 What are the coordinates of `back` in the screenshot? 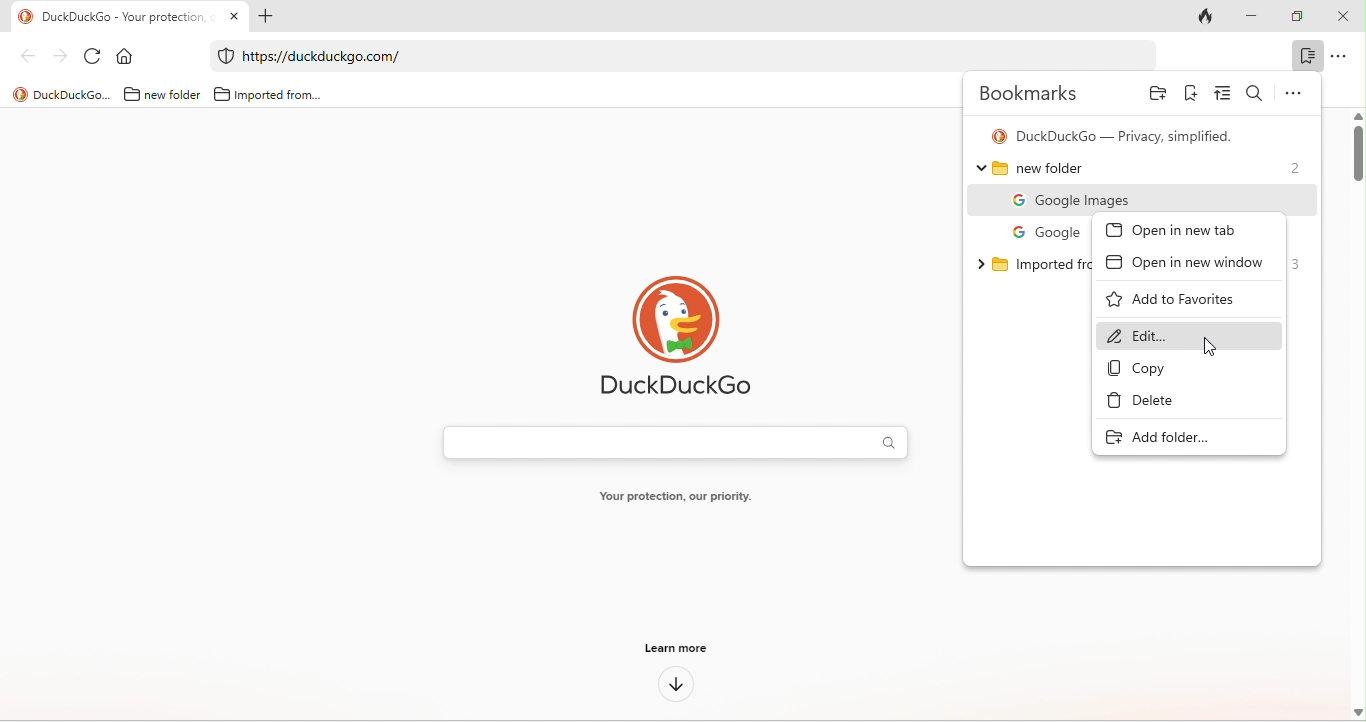 It's located at (22, 59).